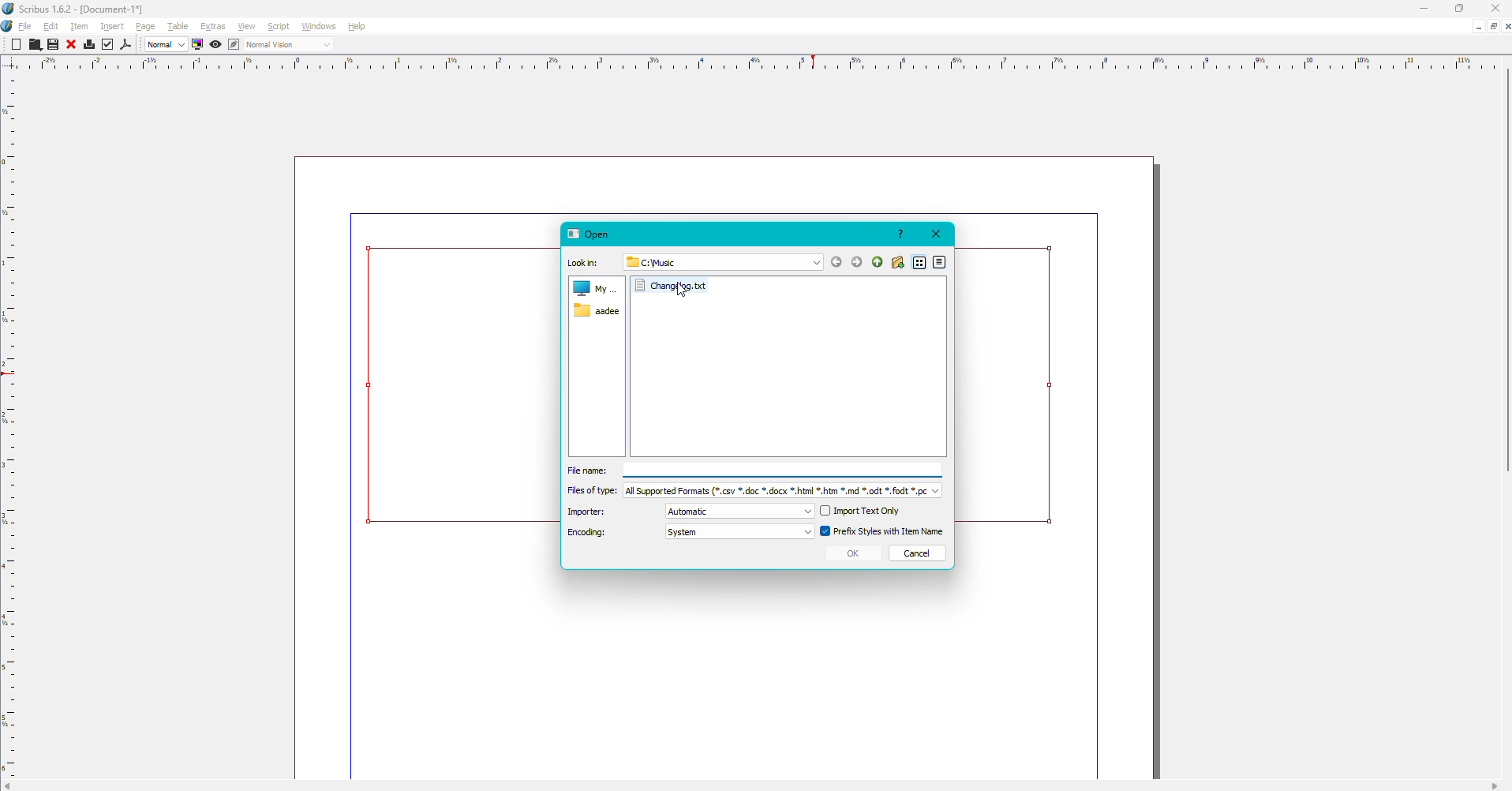  I want to click on File, so click(24, 26).